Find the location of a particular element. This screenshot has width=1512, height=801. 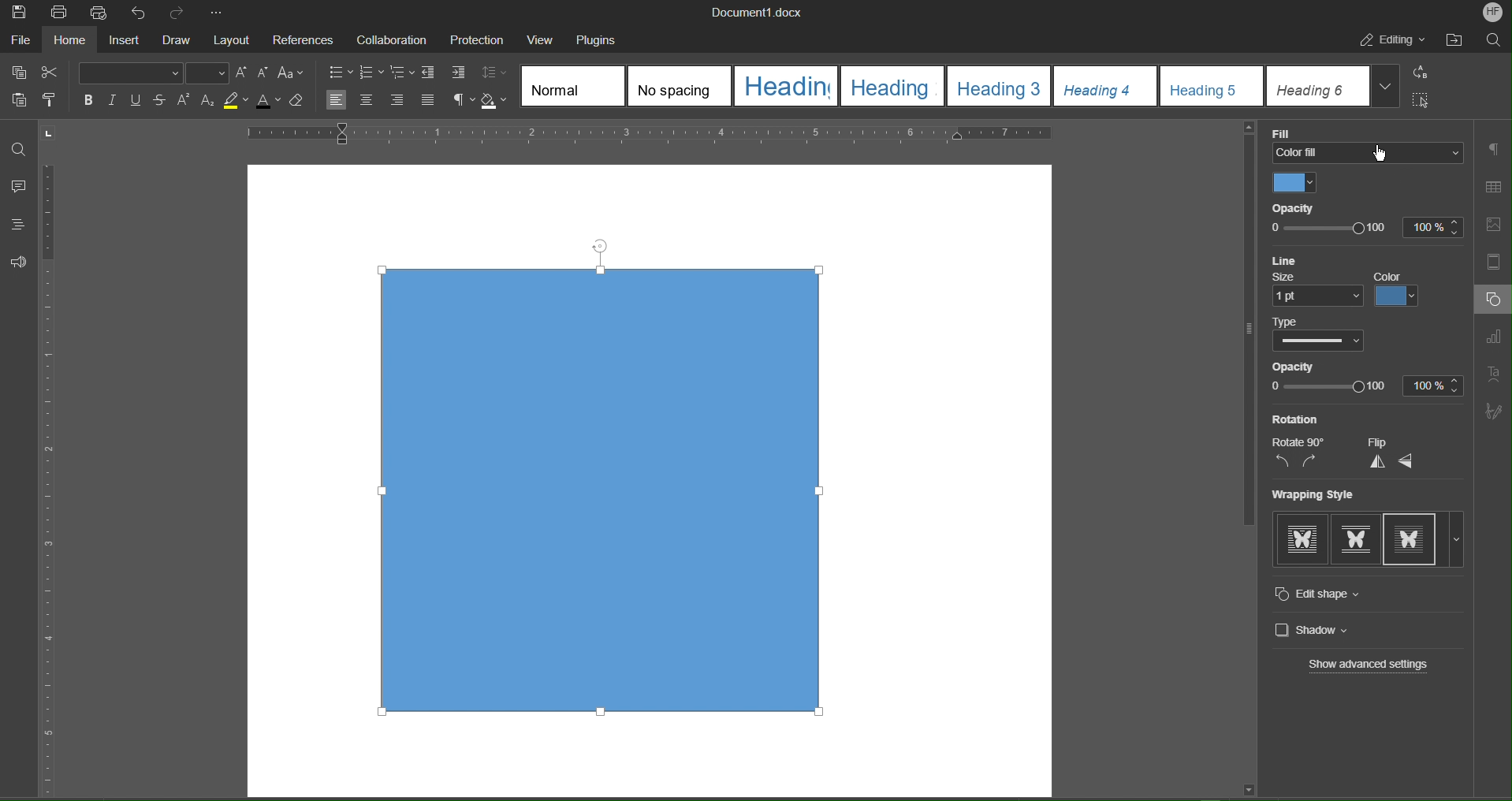

Draw is located at coordinates (178, 39).